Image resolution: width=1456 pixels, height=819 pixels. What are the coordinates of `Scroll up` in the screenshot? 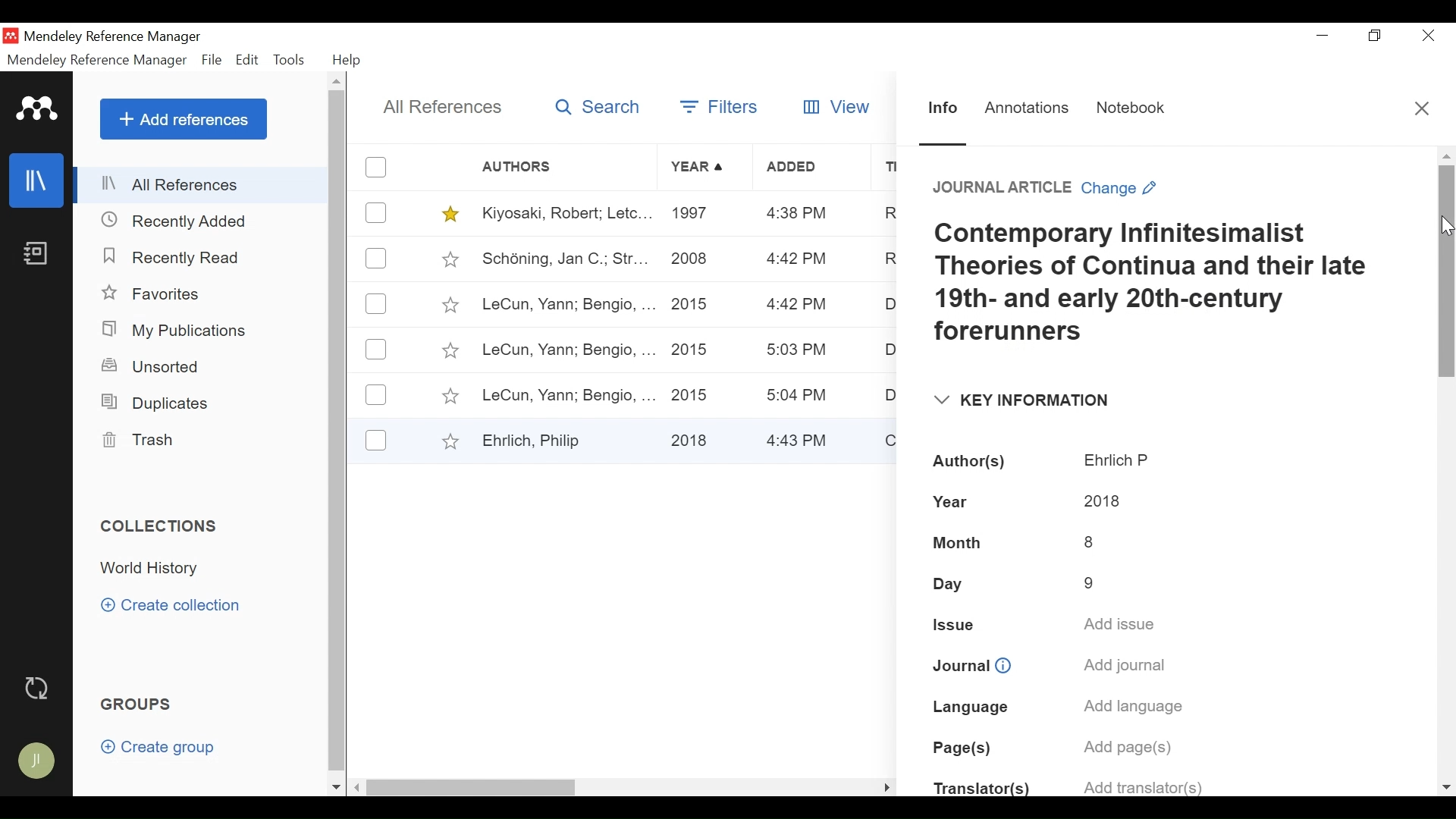 It's located at (1447, 155).